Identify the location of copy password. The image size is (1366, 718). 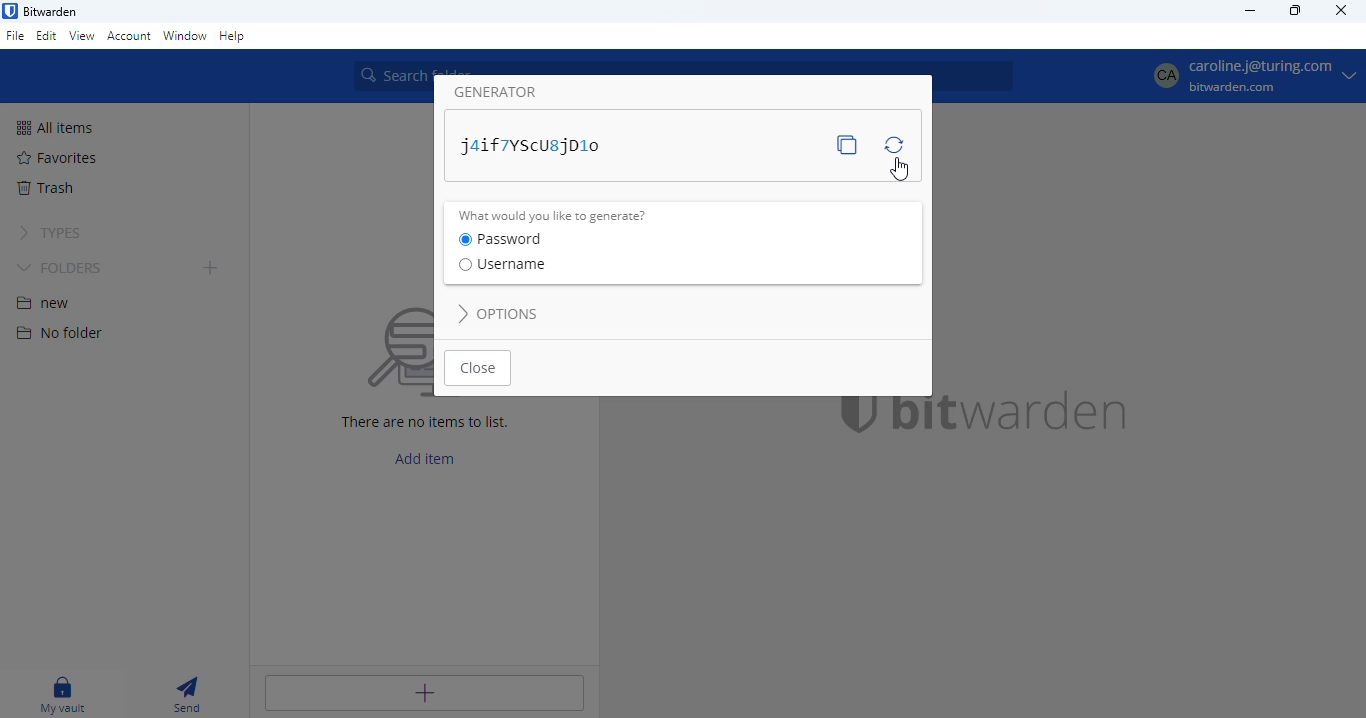
(847, 145).